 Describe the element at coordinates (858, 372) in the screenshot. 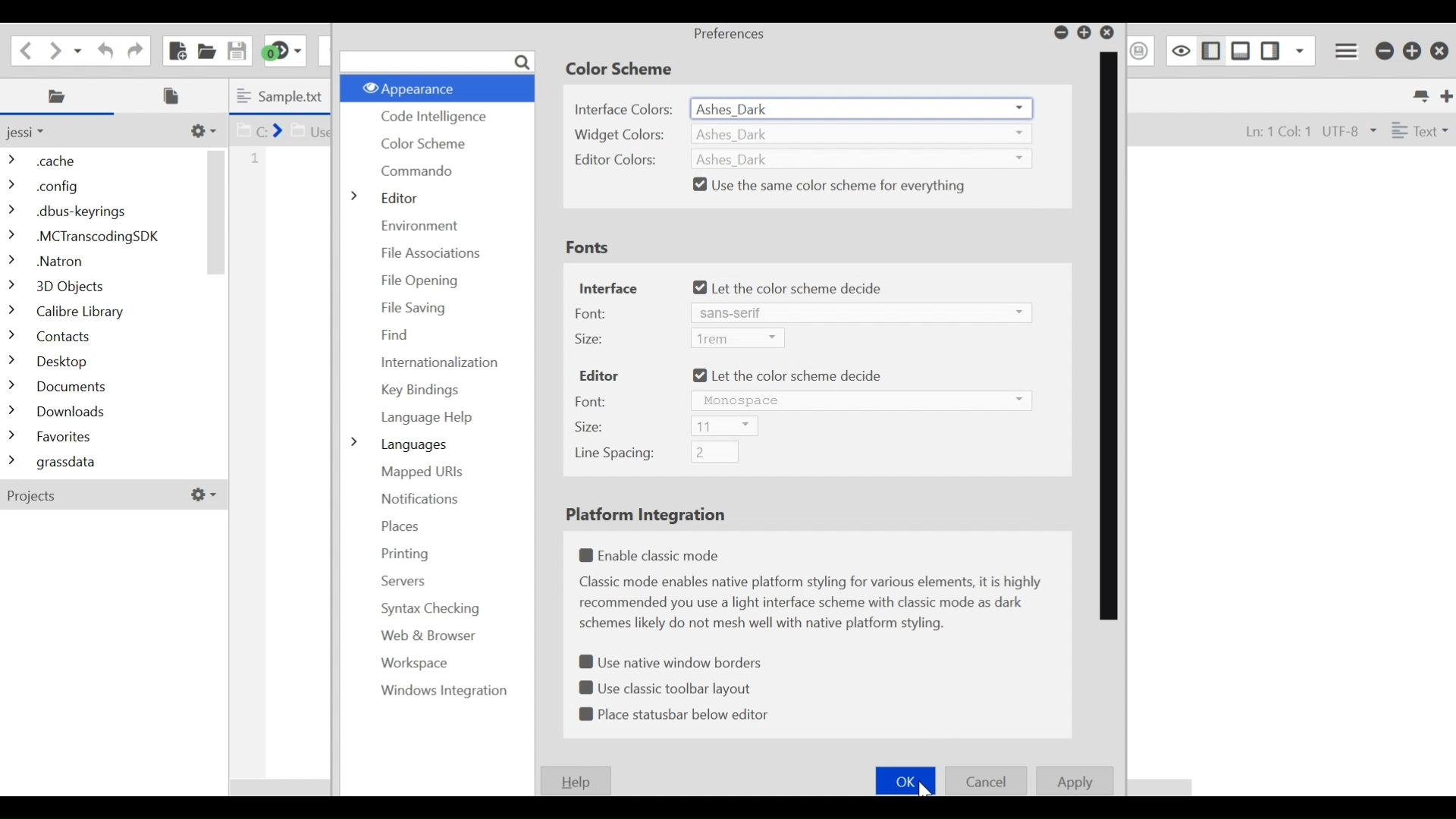

I see `cupertino` at that location.